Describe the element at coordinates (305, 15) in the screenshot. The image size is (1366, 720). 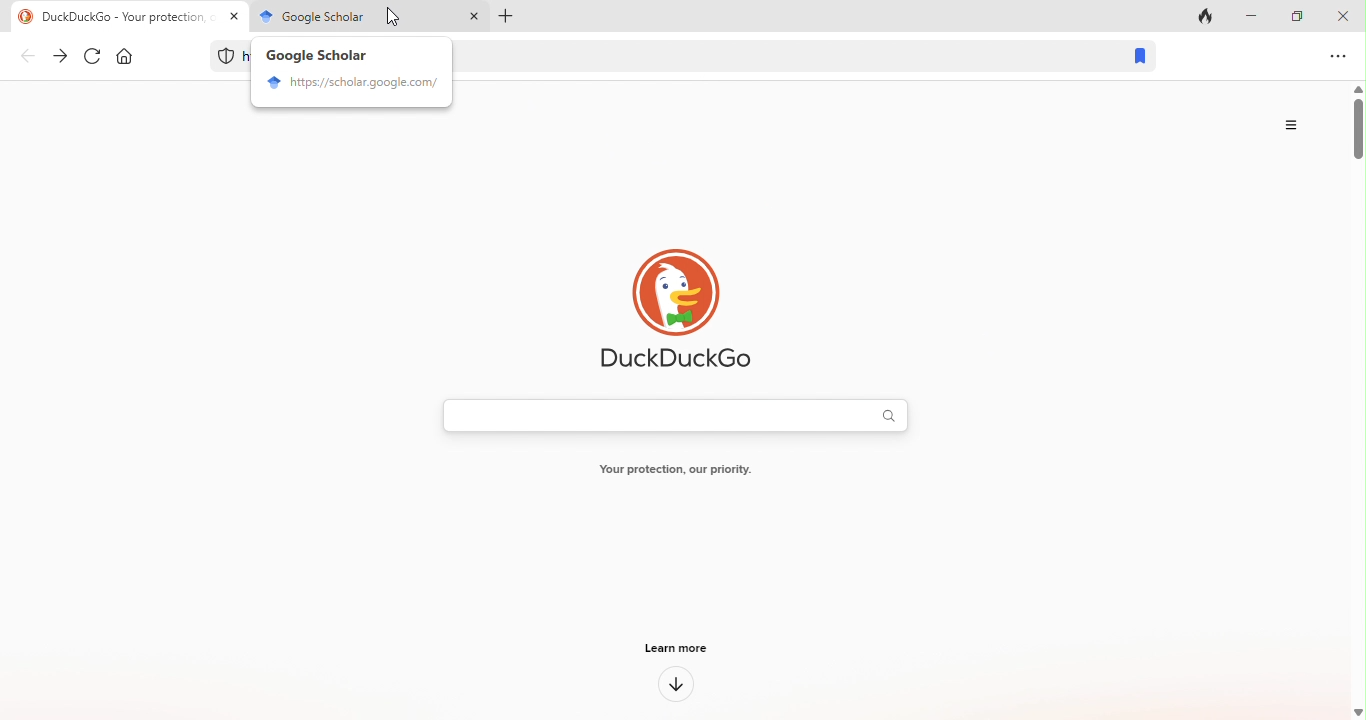
I see `google scholar` at that location.